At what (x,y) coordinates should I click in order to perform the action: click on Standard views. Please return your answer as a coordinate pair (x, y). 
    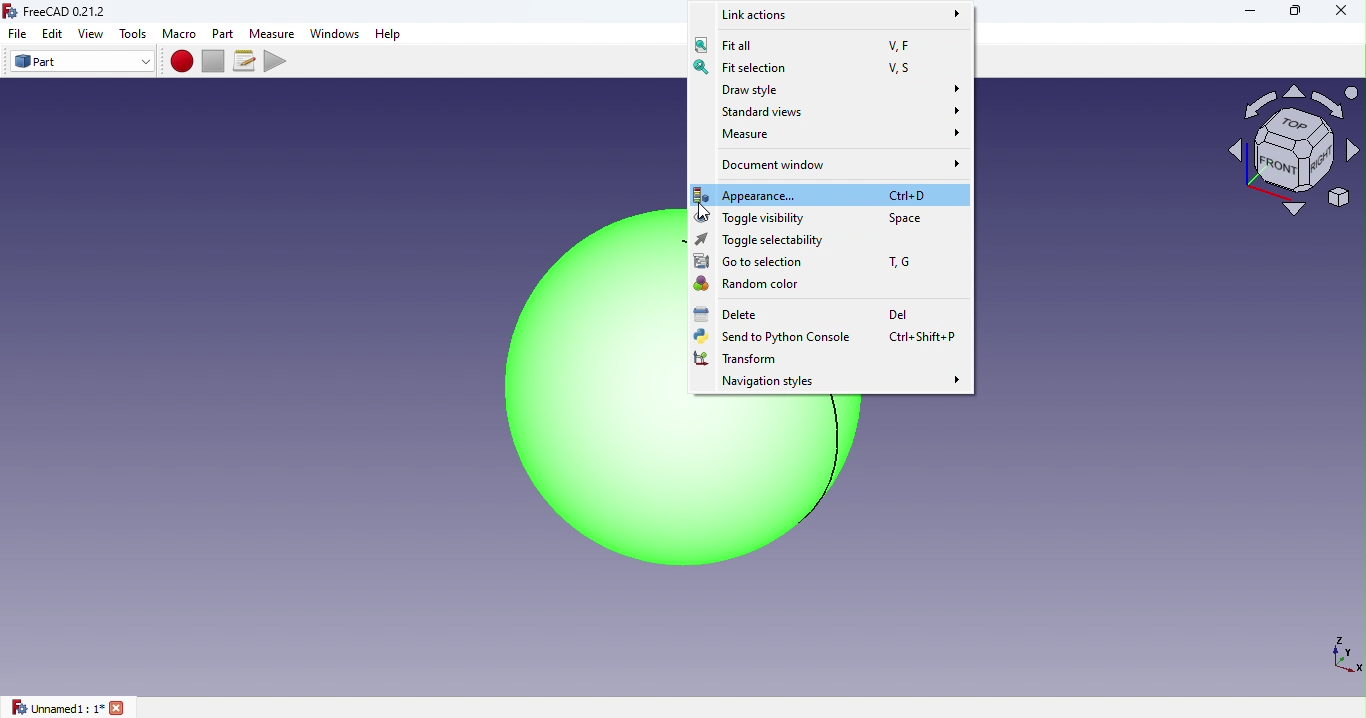
    Looking at the image, I should click on (835, 111).